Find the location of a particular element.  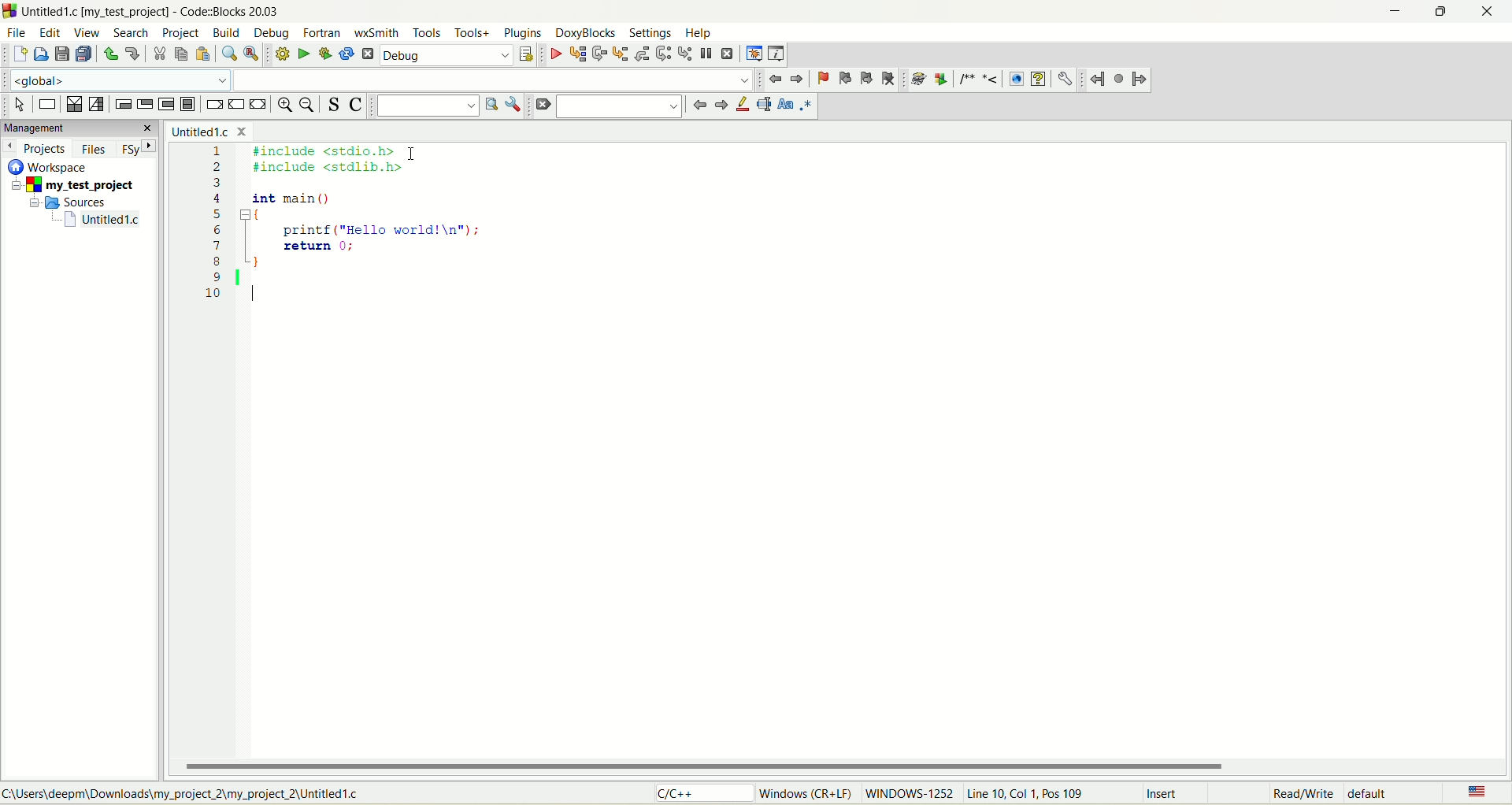

toggle bookmark is located at coordinates (820, 80).